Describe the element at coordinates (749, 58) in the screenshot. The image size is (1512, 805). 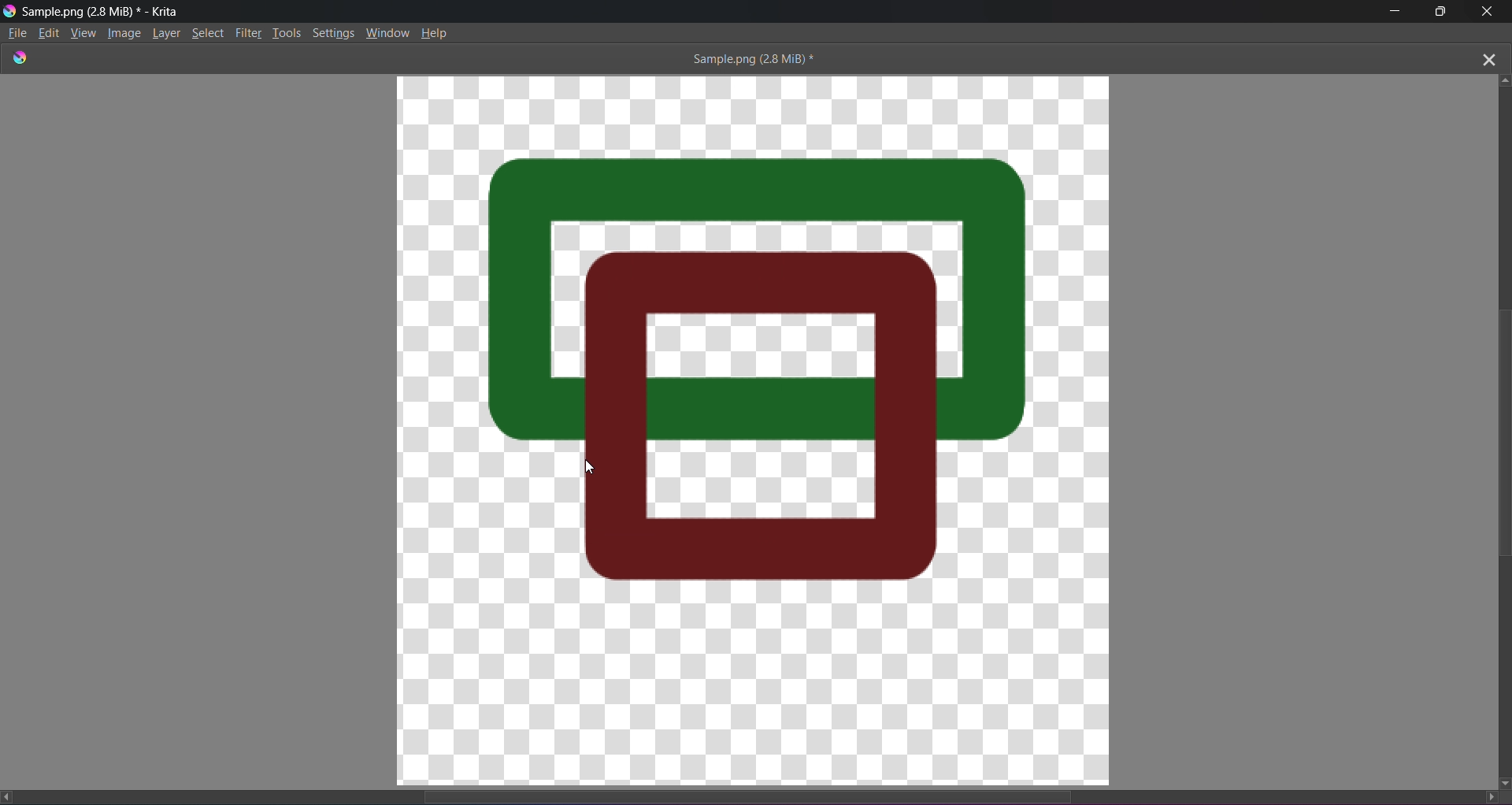
I see `Sample.png (2.8MiN)*` at that location.